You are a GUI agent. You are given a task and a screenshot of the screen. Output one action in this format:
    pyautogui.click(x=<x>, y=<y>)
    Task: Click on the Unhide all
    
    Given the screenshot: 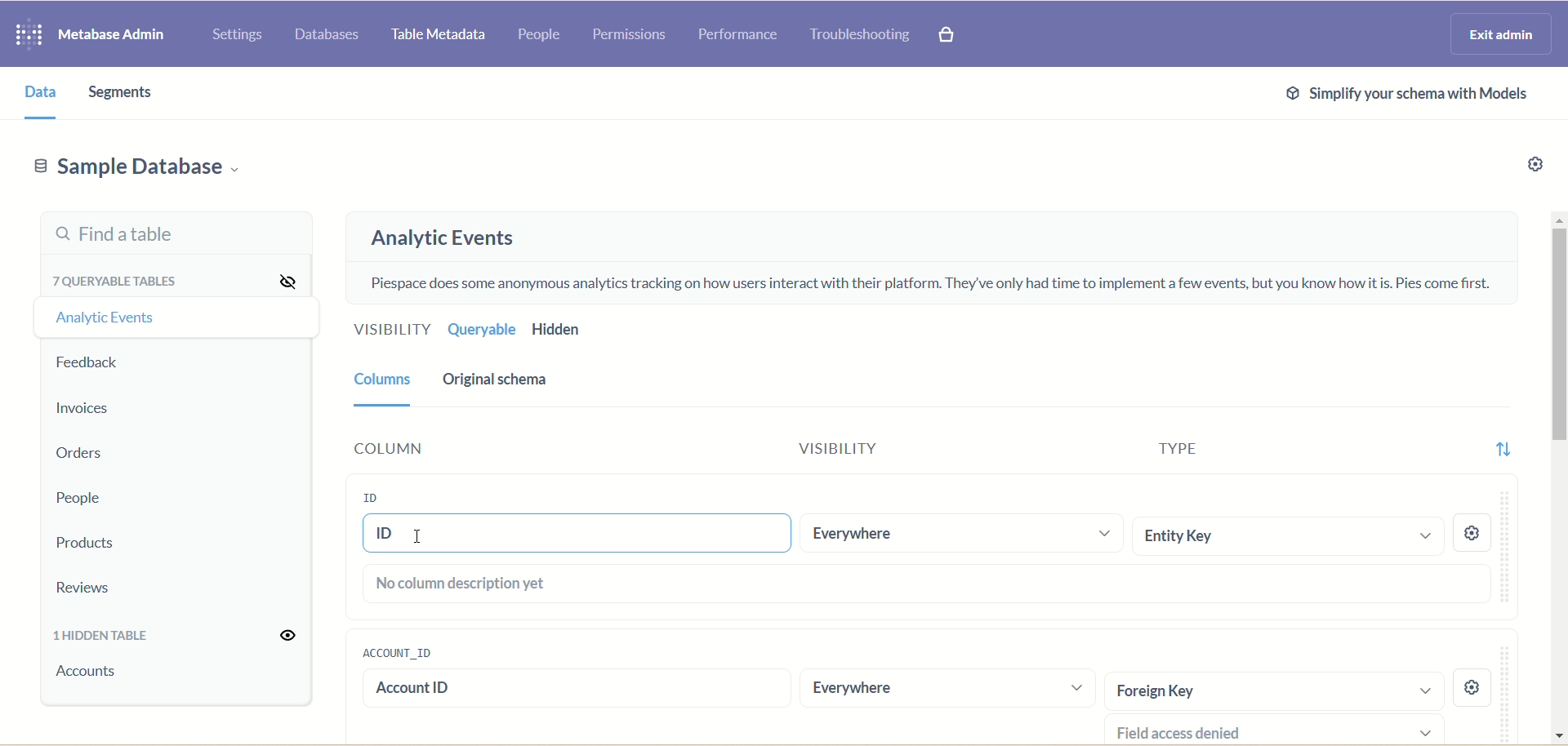 What is the action you would take?
    pyautogui.click(x=287, y=633)
    